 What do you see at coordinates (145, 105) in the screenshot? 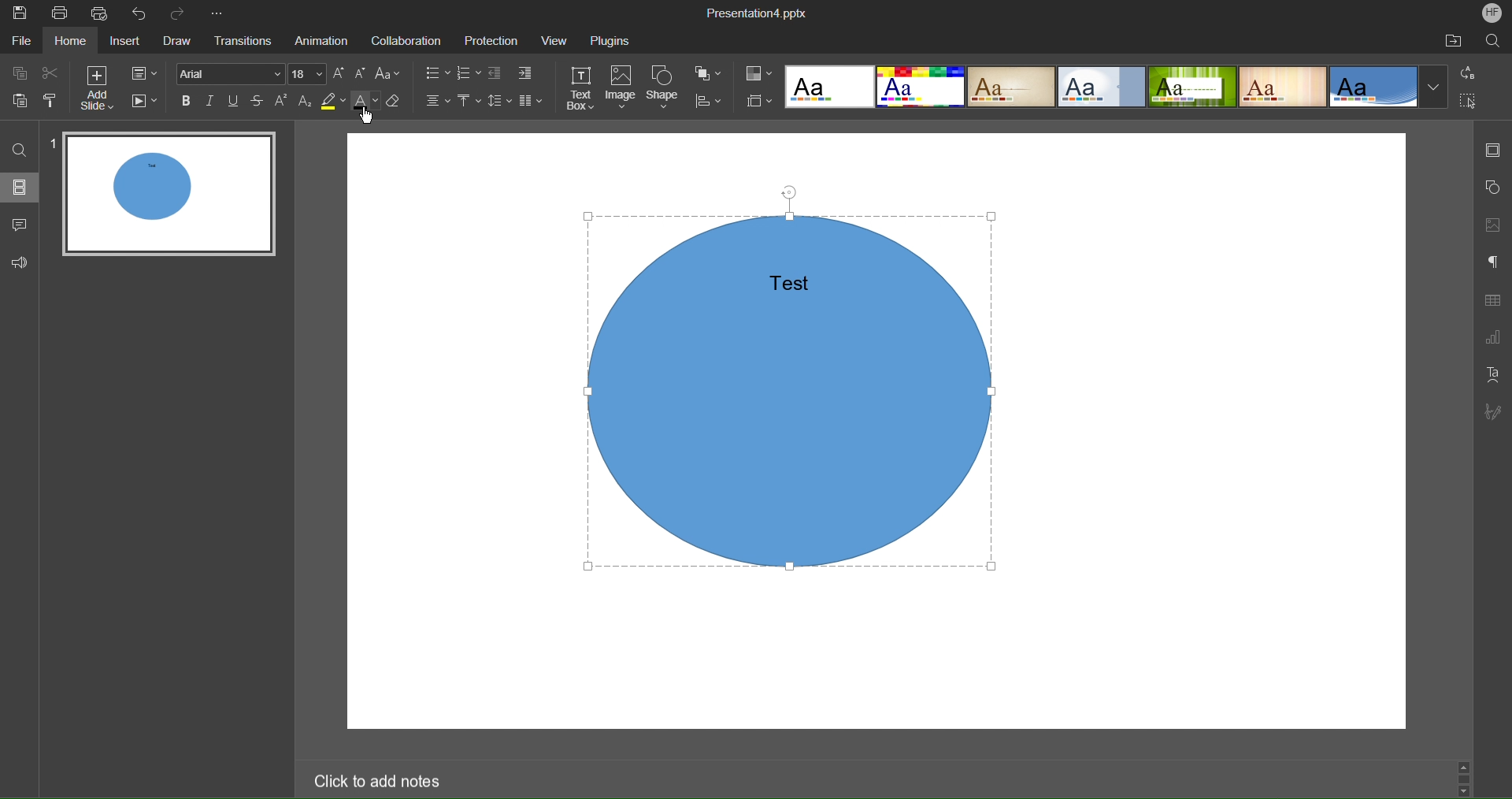
I see `Playback` at bounding box center [145, 105].